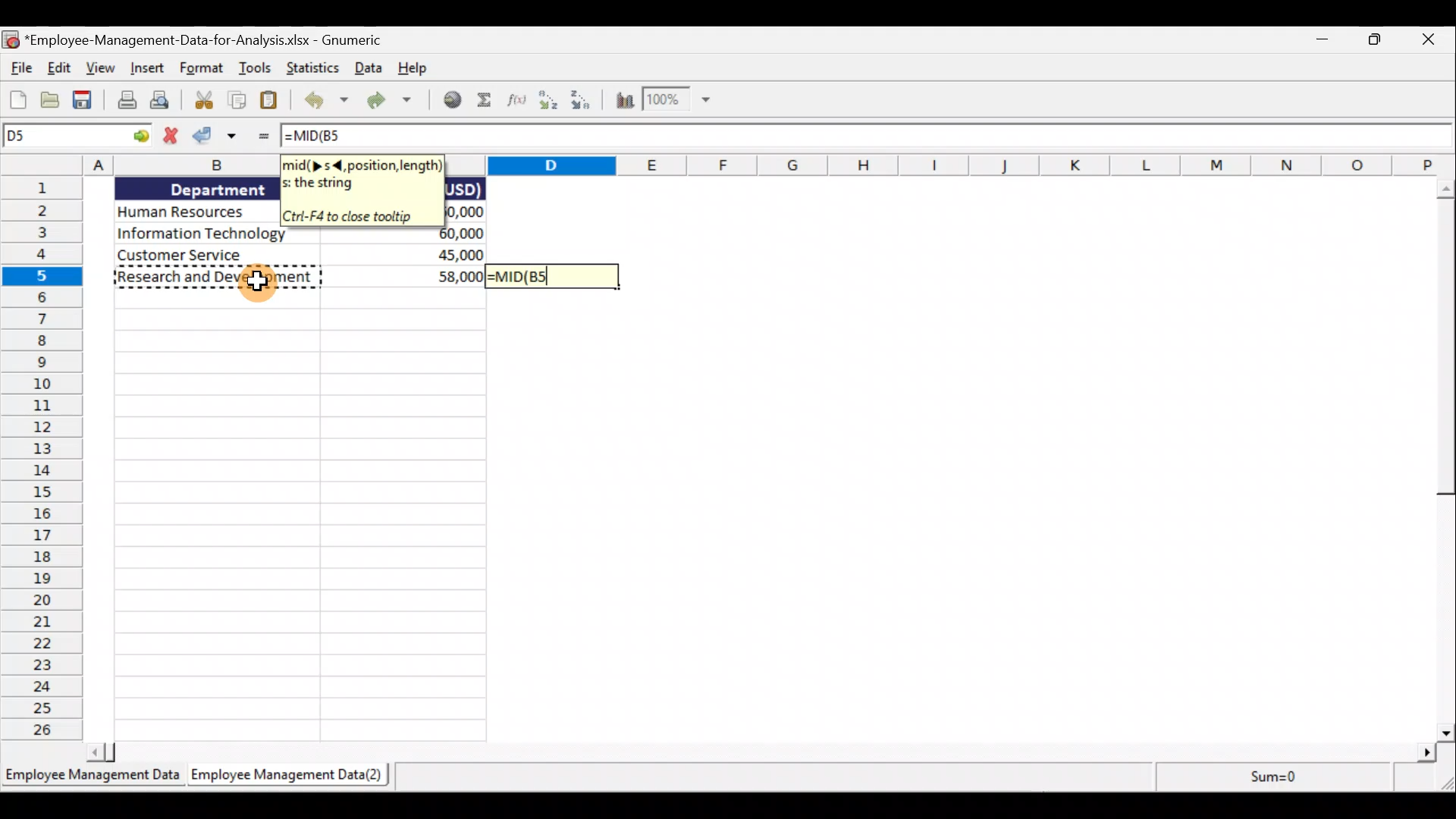 The image size is (1456, 819). Describe the element at coordinates (102, 69) in the screenshot. I see `View` at that location.